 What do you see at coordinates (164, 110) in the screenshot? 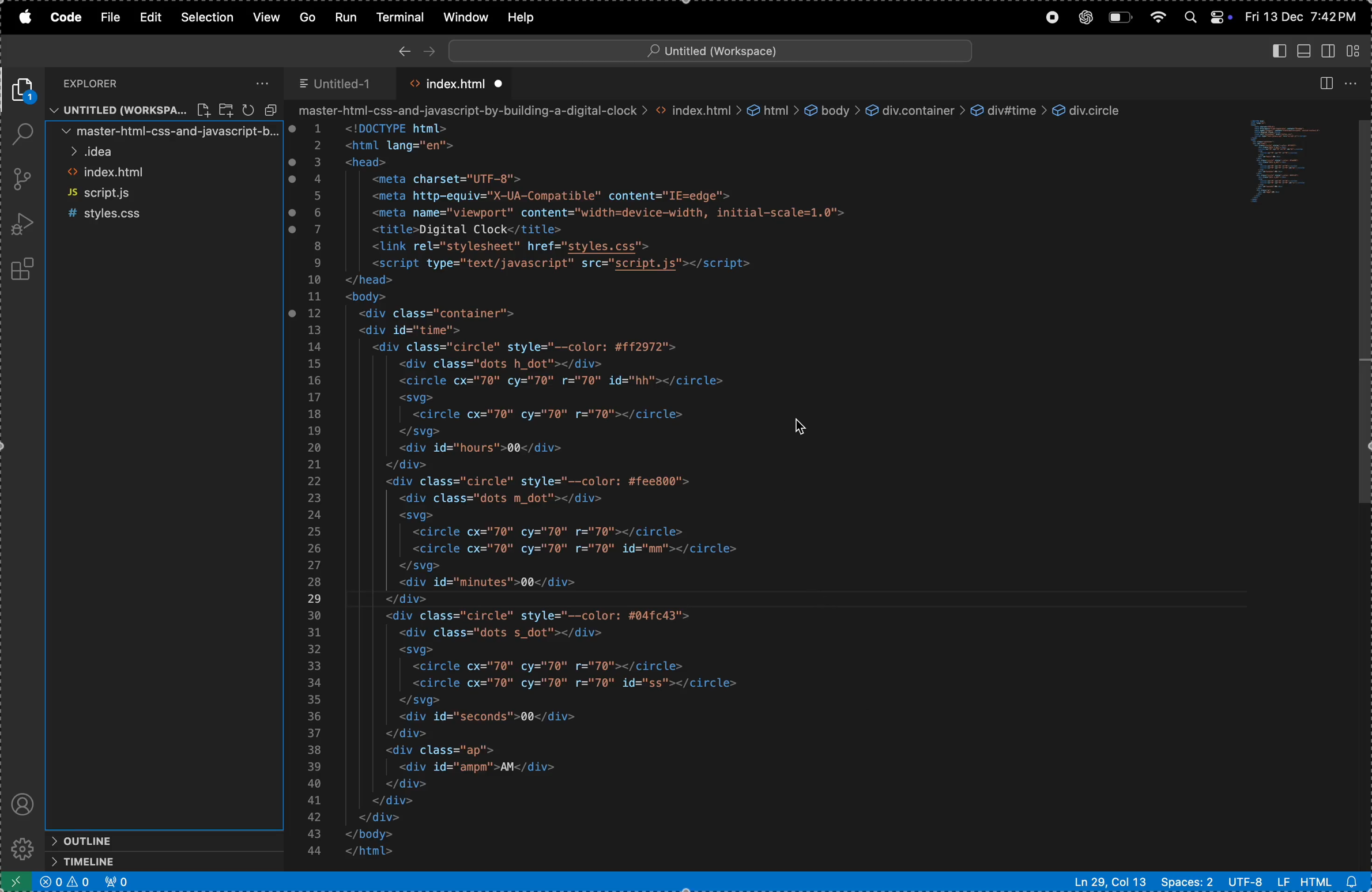
I see `workspace` at bounding box center [164, 110].